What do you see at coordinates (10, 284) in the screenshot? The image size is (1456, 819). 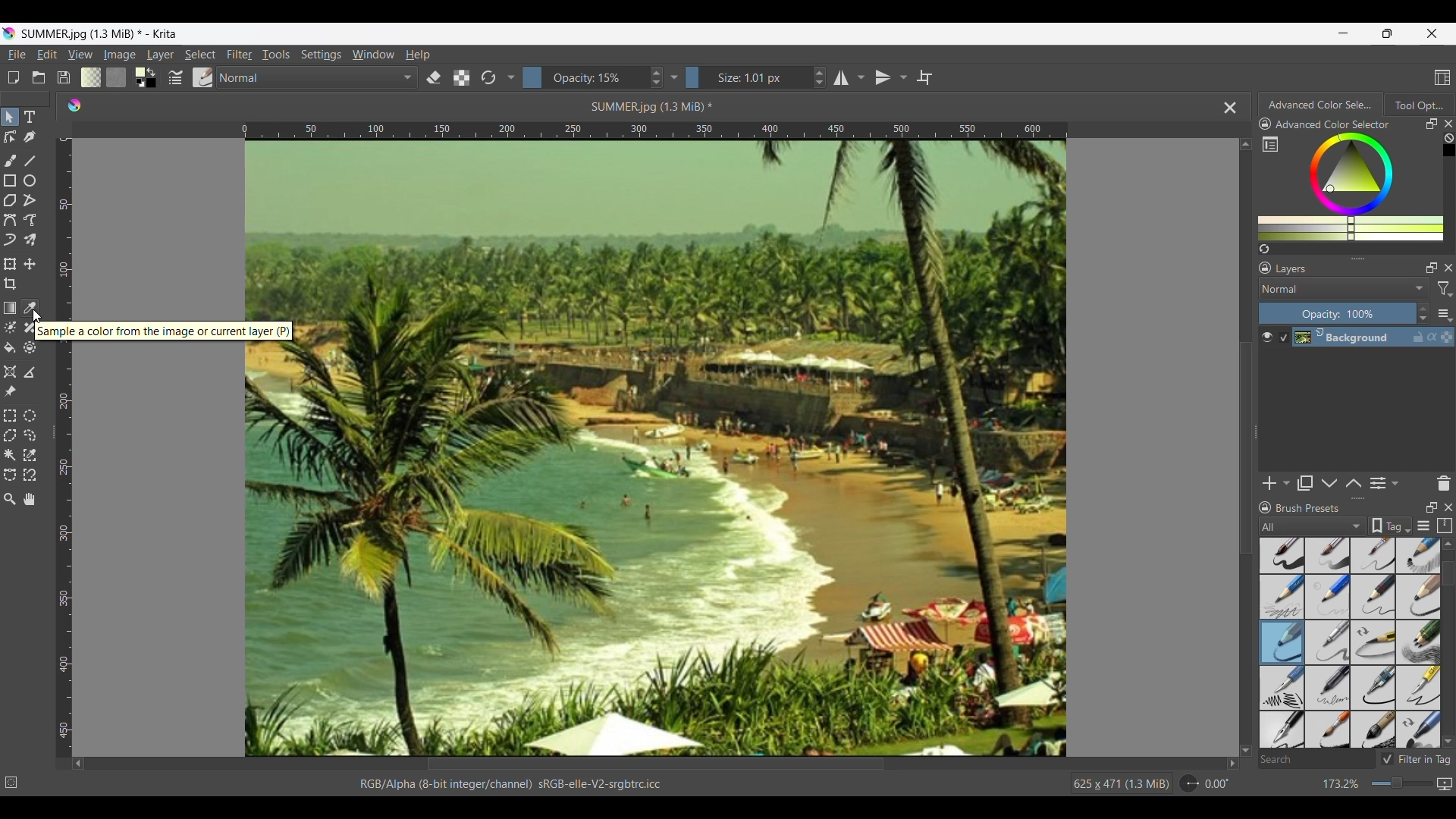 I see `Crop tool` at bounding box center [10, 284].